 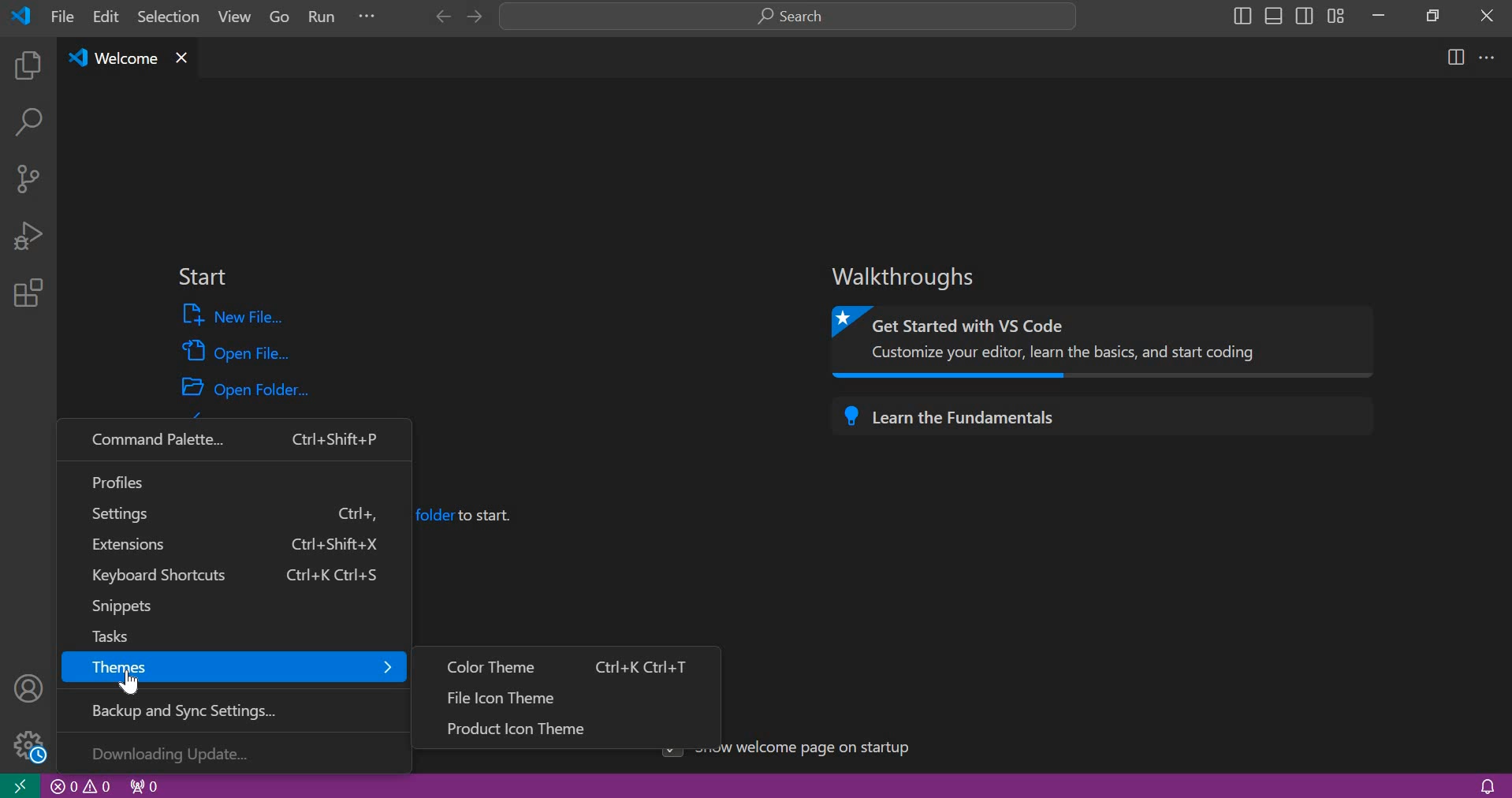 I want to click on themes, so click(x=232, y=668).